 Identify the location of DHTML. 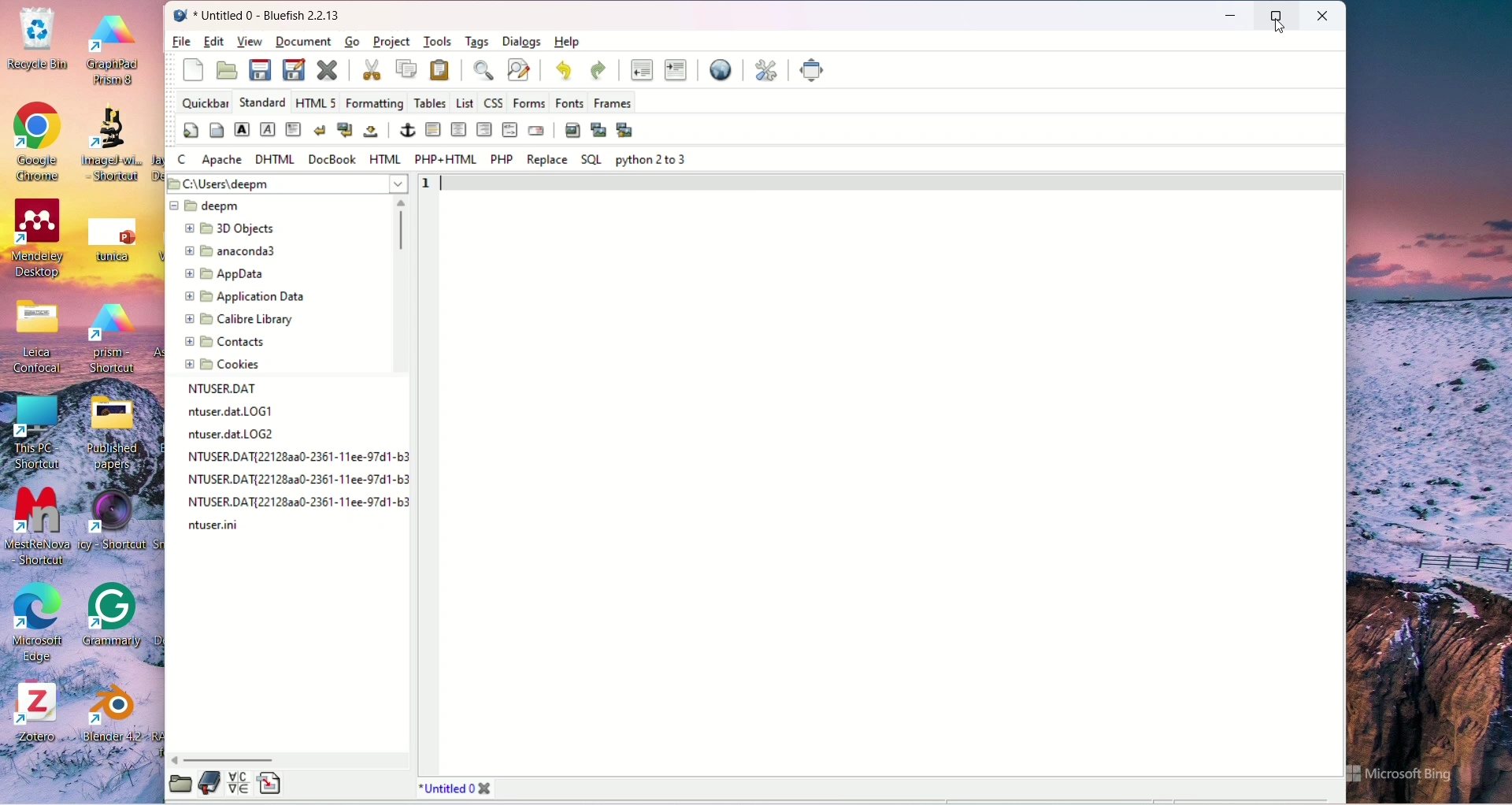
(275, 160).